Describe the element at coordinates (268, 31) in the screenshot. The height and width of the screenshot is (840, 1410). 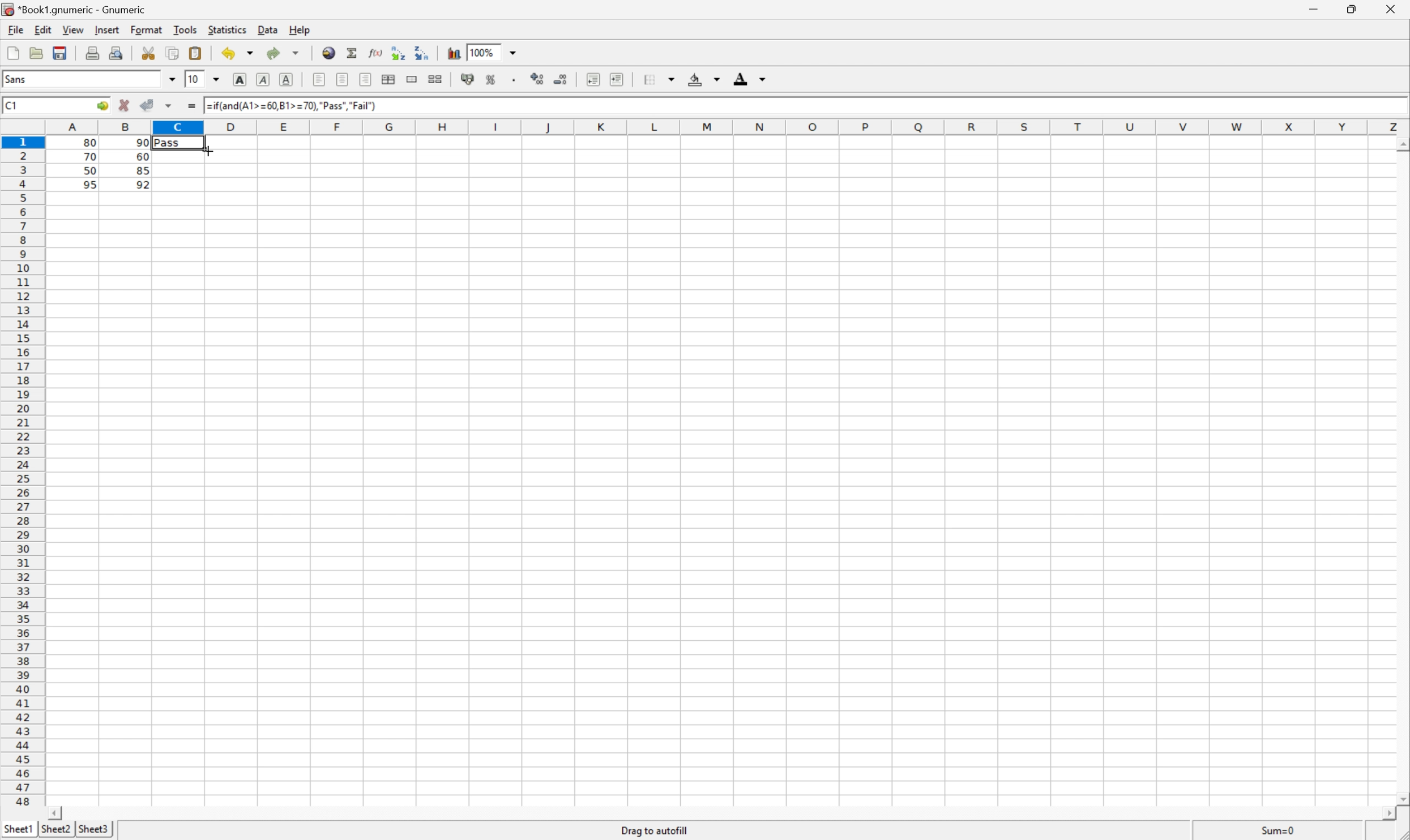
I see `Data` at that location.